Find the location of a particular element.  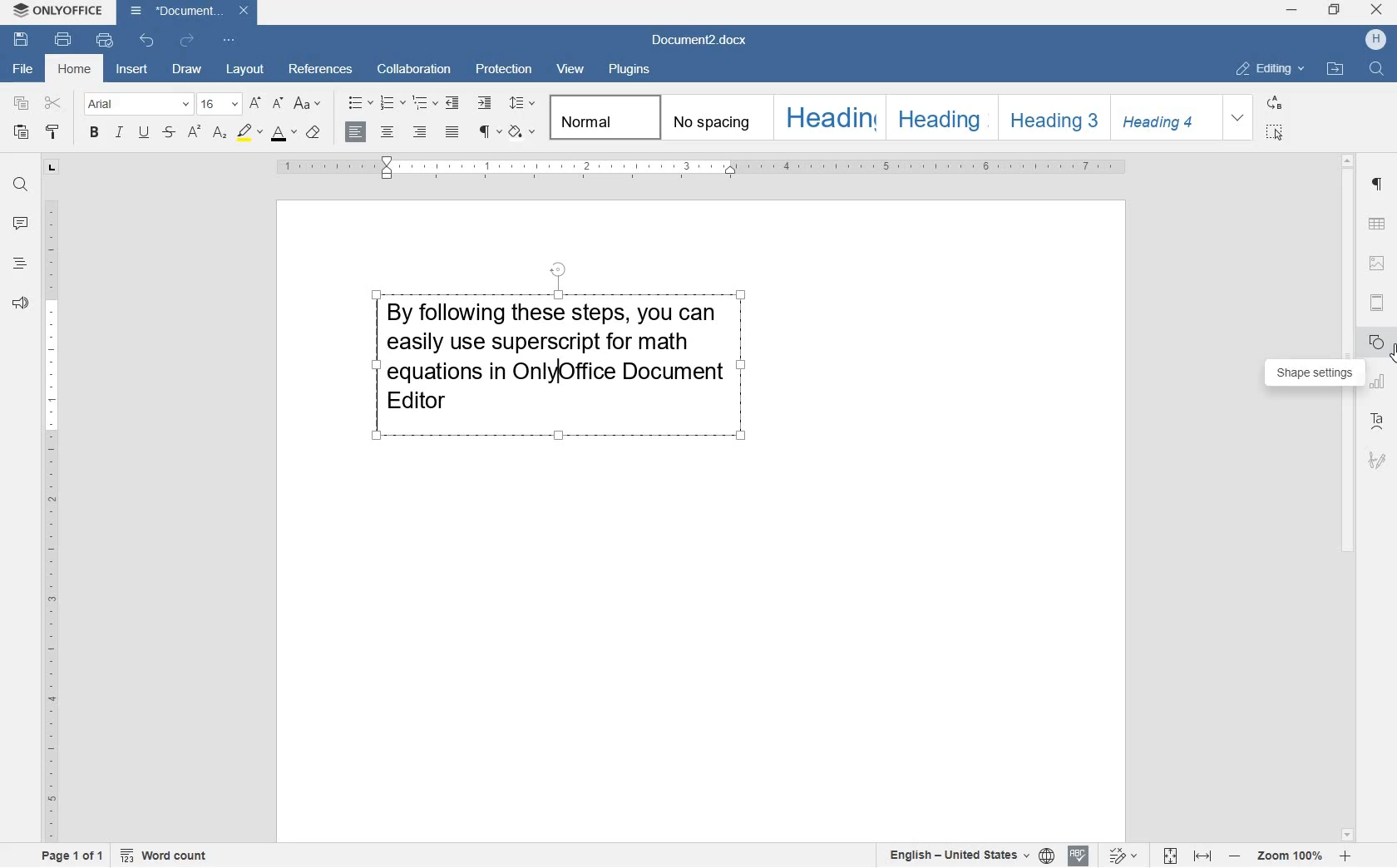

ruler is located at coordinates (50, 520).